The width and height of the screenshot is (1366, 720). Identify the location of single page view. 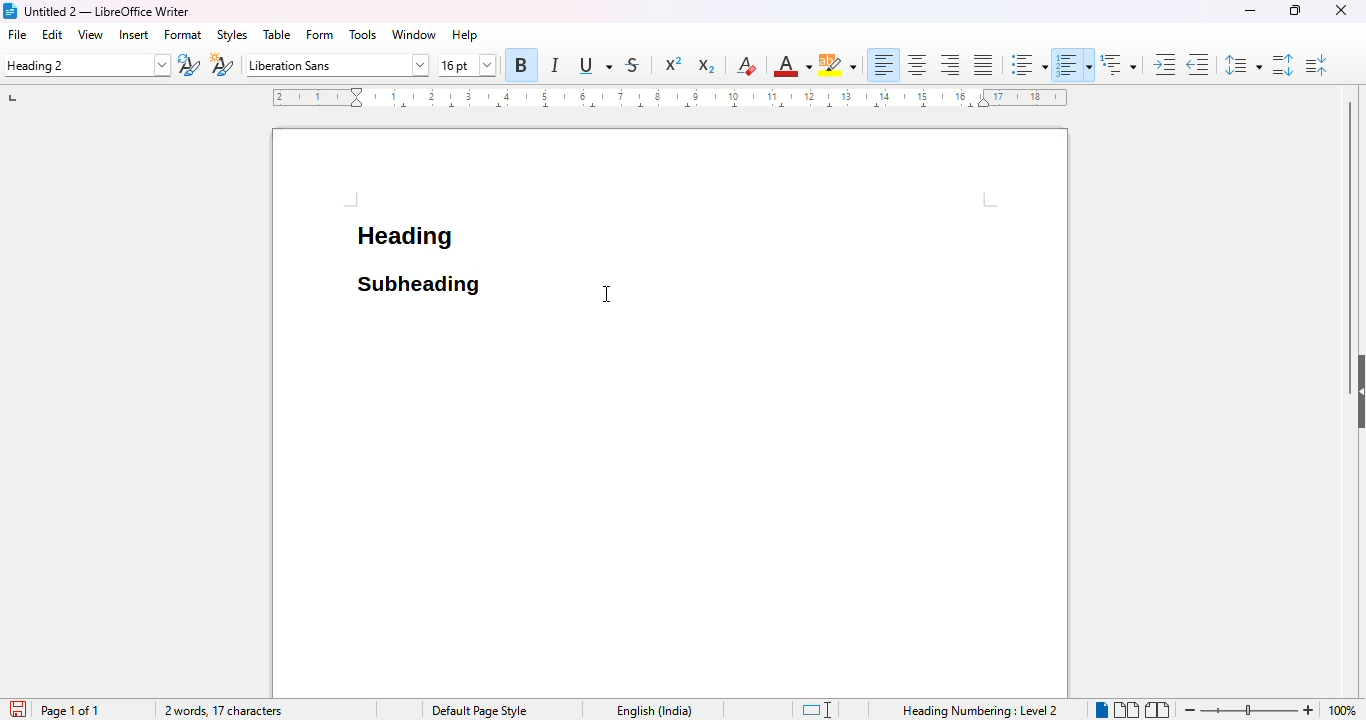
(1100, 709).